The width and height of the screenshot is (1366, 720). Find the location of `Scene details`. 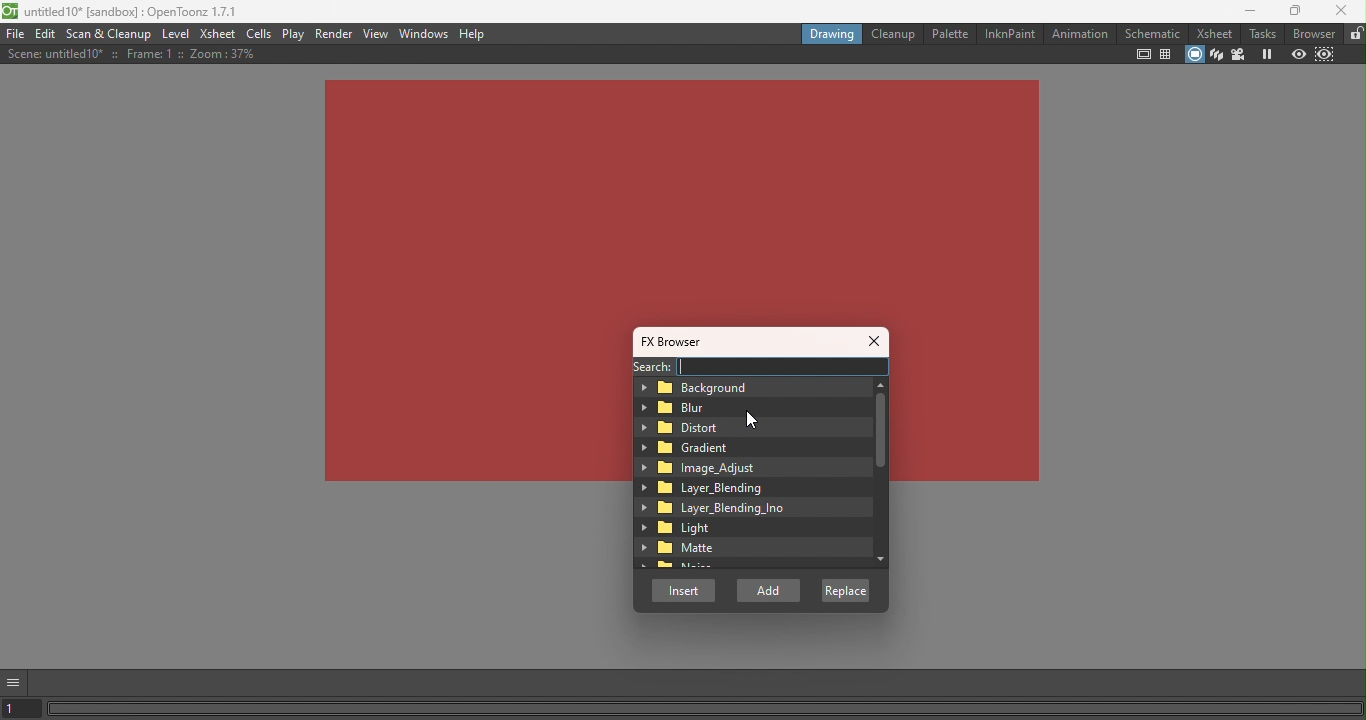

Scene details is located at coordinates (131, 54).